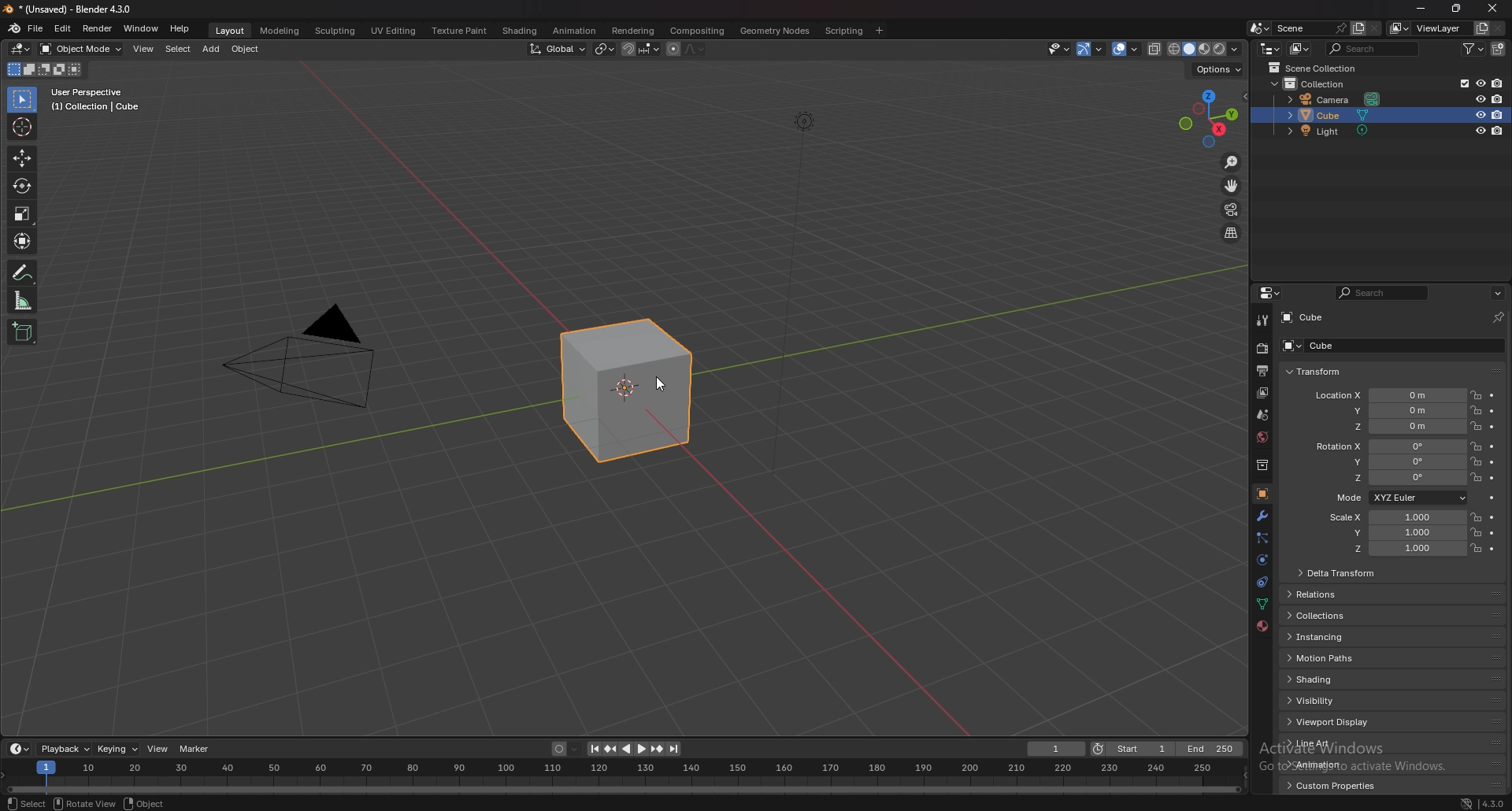 This screenshot has height=811, width=1512. I want to click on disable in render, so click(1498, 83).